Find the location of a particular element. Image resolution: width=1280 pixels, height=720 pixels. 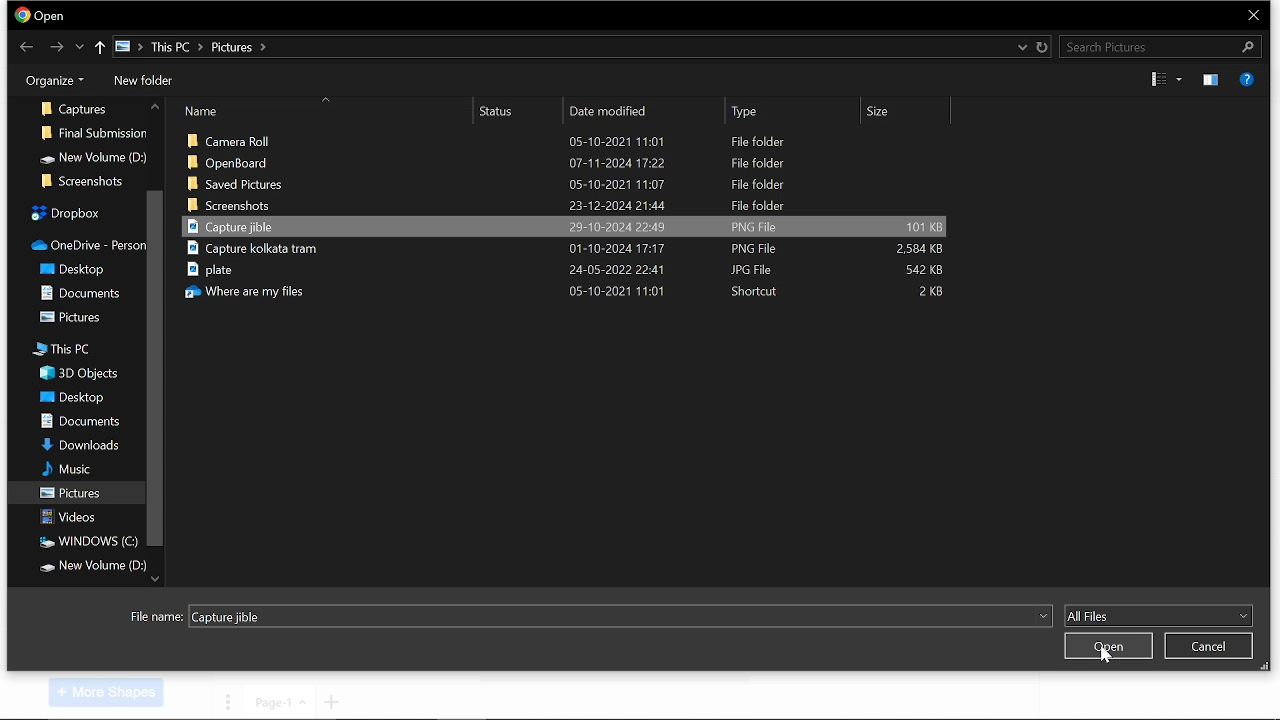

up to  is located at coordinates (101, 48).